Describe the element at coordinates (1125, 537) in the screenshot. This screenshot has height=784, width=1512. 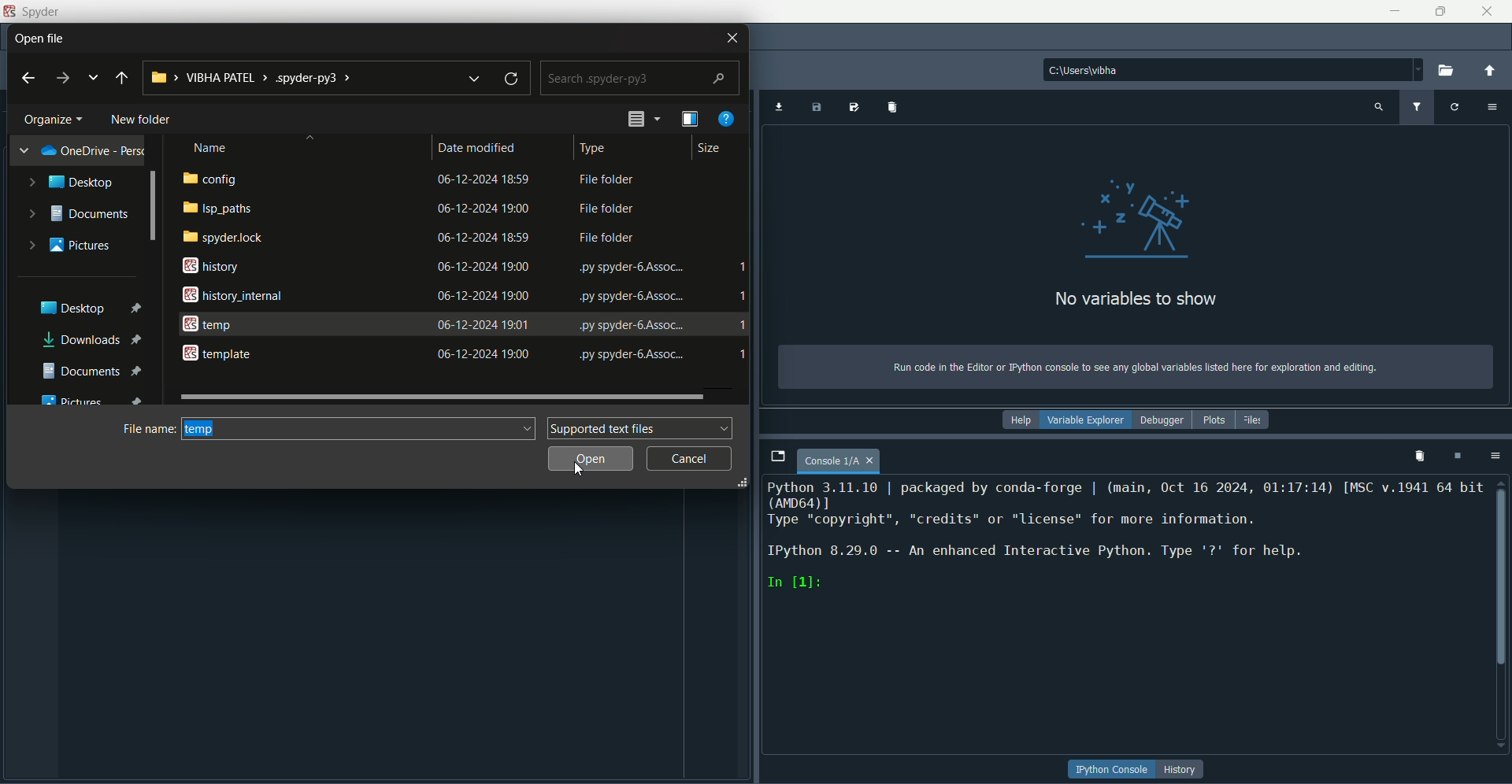
I see `text` at that location.